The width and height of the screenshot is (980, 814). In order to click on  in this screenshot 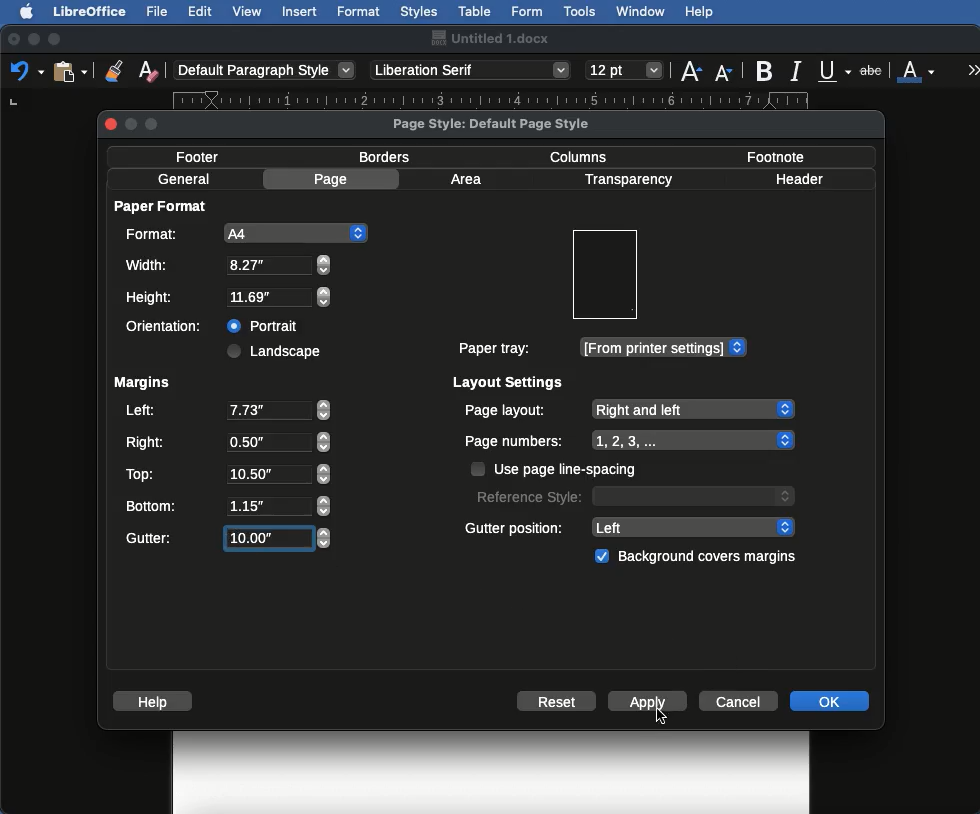, I will do `click(663, 716)`.